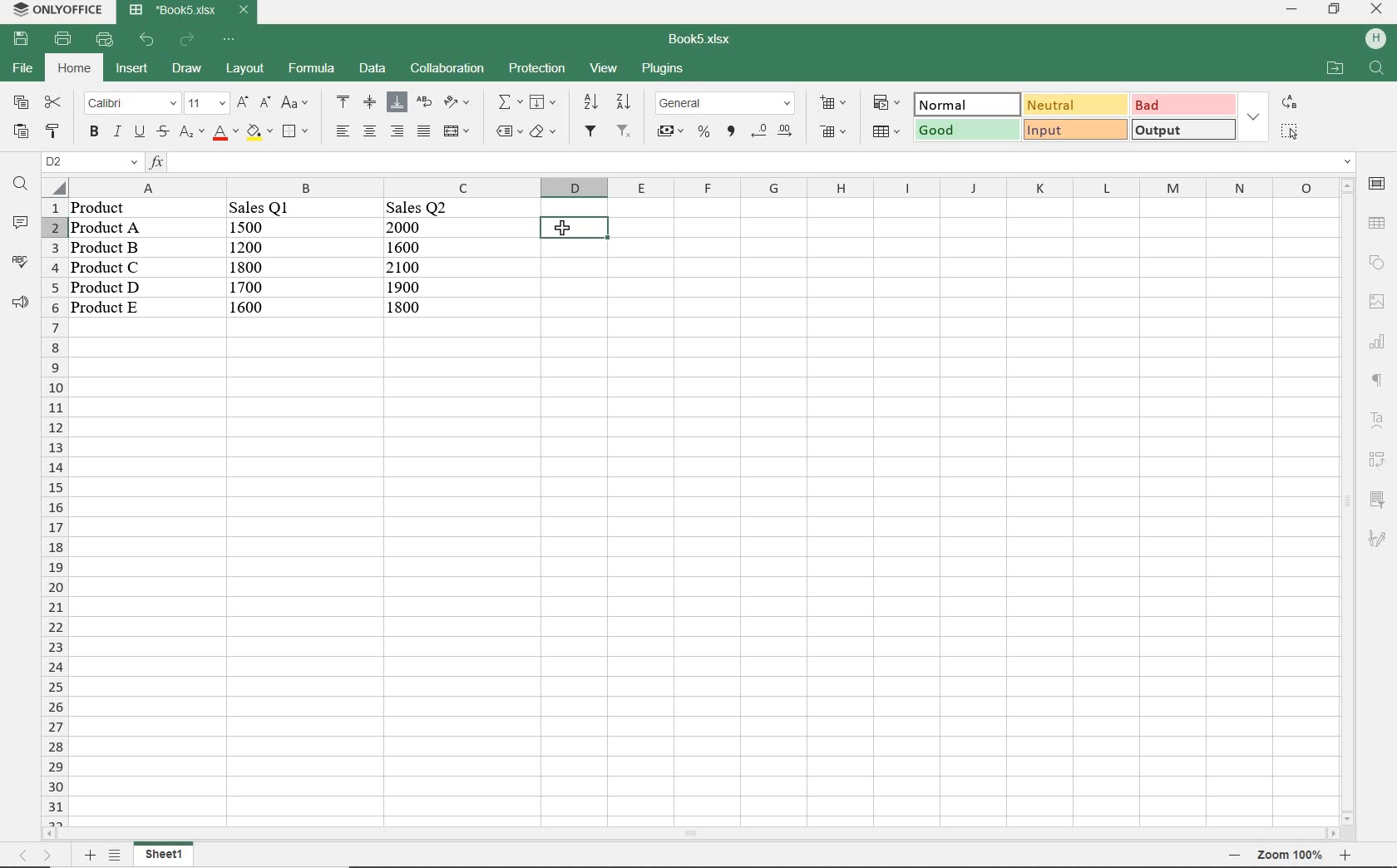  What do you see at coordinates (89, 855) in the screenshot?
I see `add sheet` at bounding box center [89, 855].